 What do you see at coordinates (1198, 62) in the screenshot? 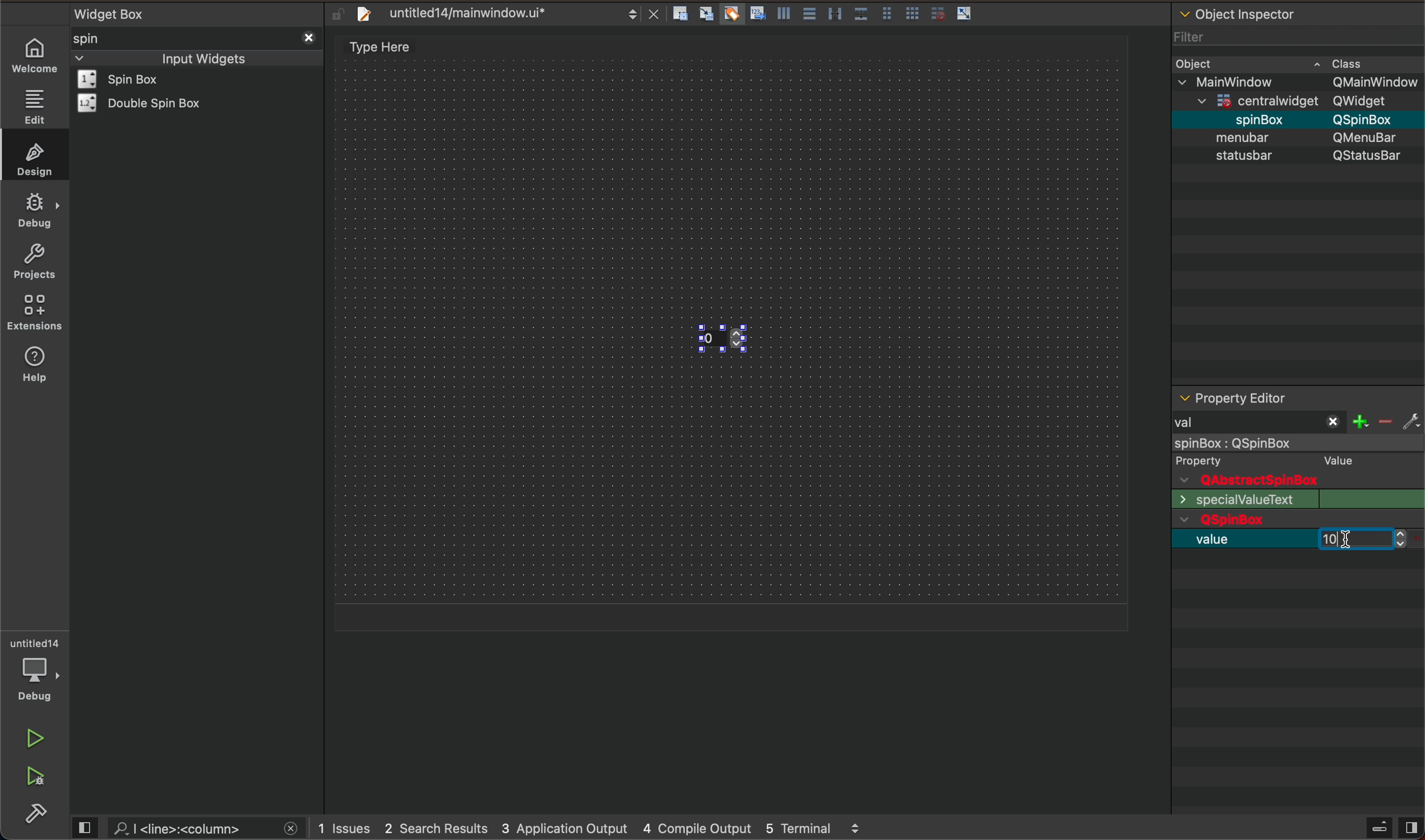
I see `object` at bounding box center [1198, 62].